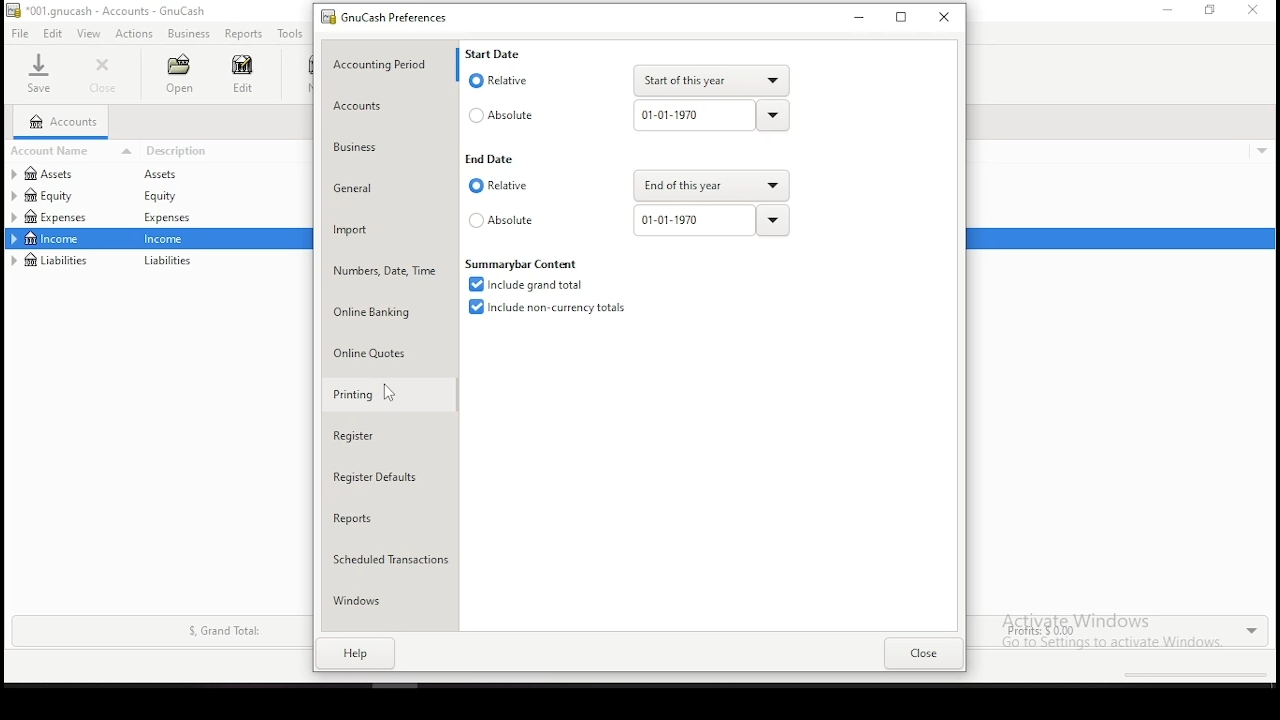 This screenshot has height=720, width=1280. I want to click on printing, so click(367, 396).